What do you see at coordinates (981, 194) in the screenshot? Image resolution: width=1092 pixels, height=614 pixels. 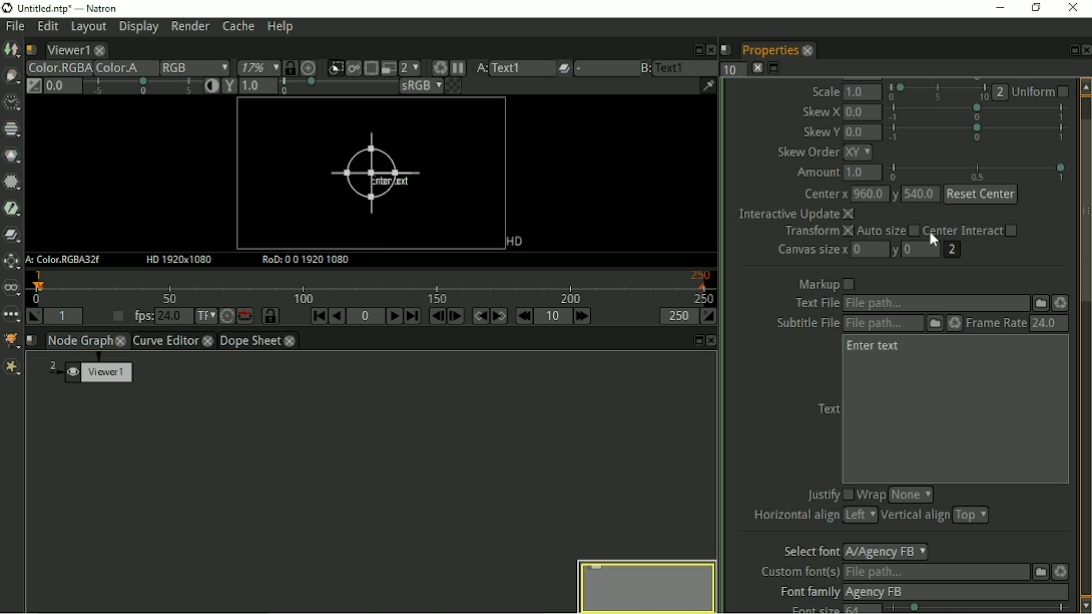 I see `Reset Center` at bounding box center [981, 194].